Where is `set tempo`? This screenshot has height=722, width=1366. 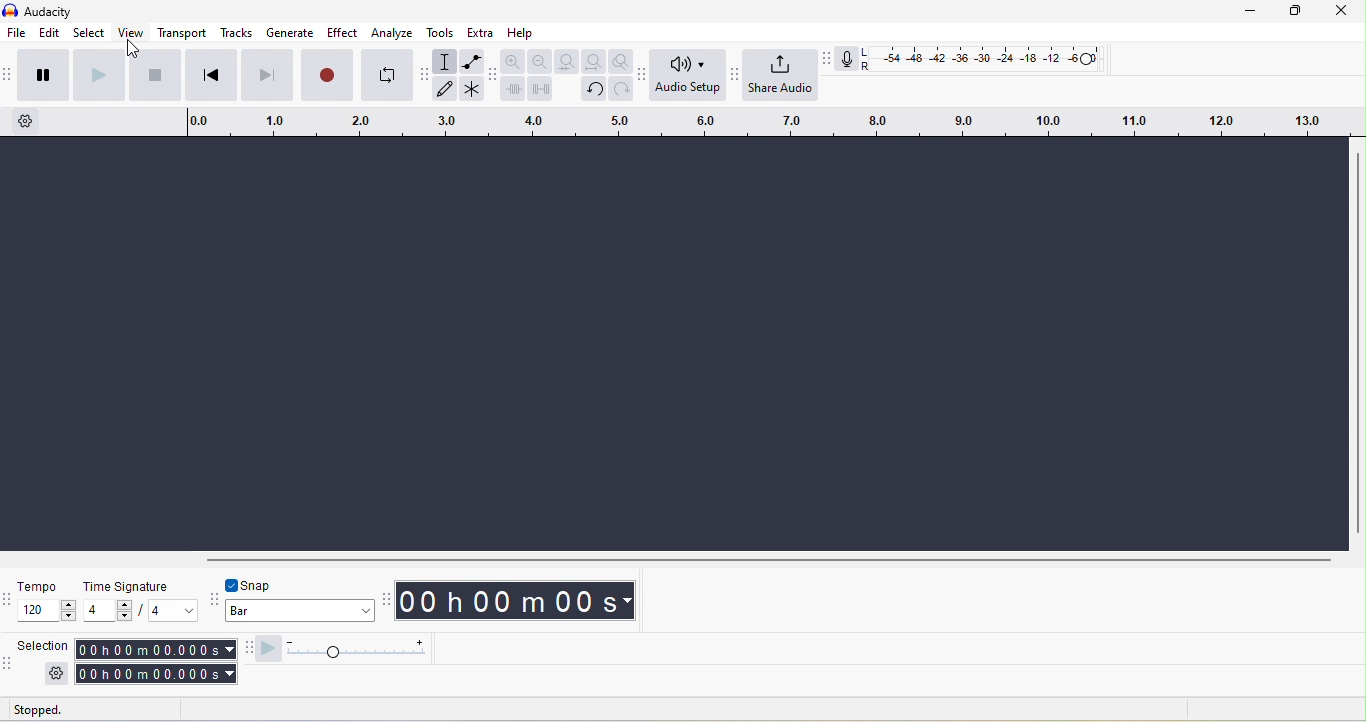 set tempo is located at coordinates (46, 610).